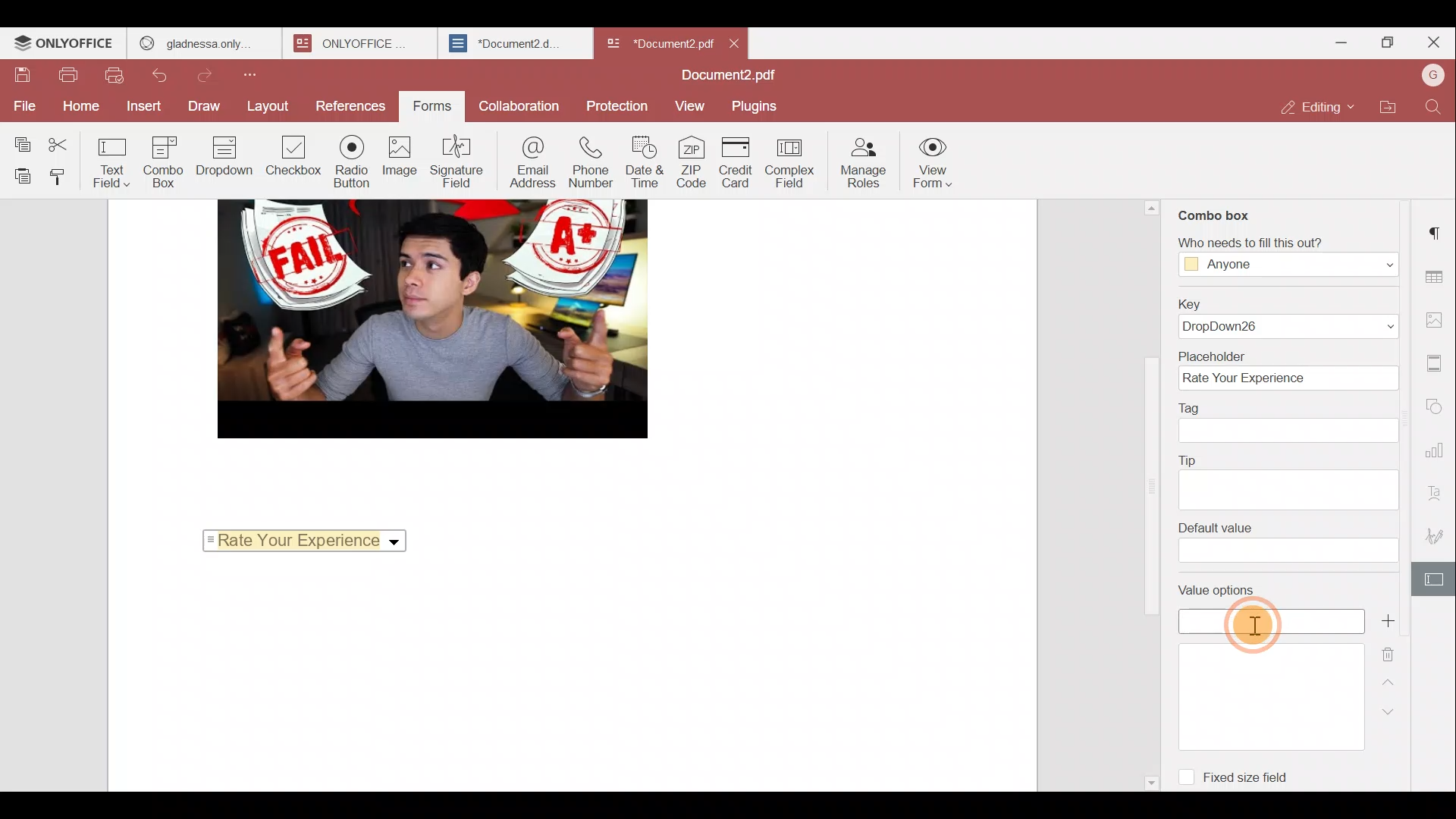 The image size is (1456, 819). Describe the element at coordinates (934, 159) in the screenshot. I see `View form` at that location.